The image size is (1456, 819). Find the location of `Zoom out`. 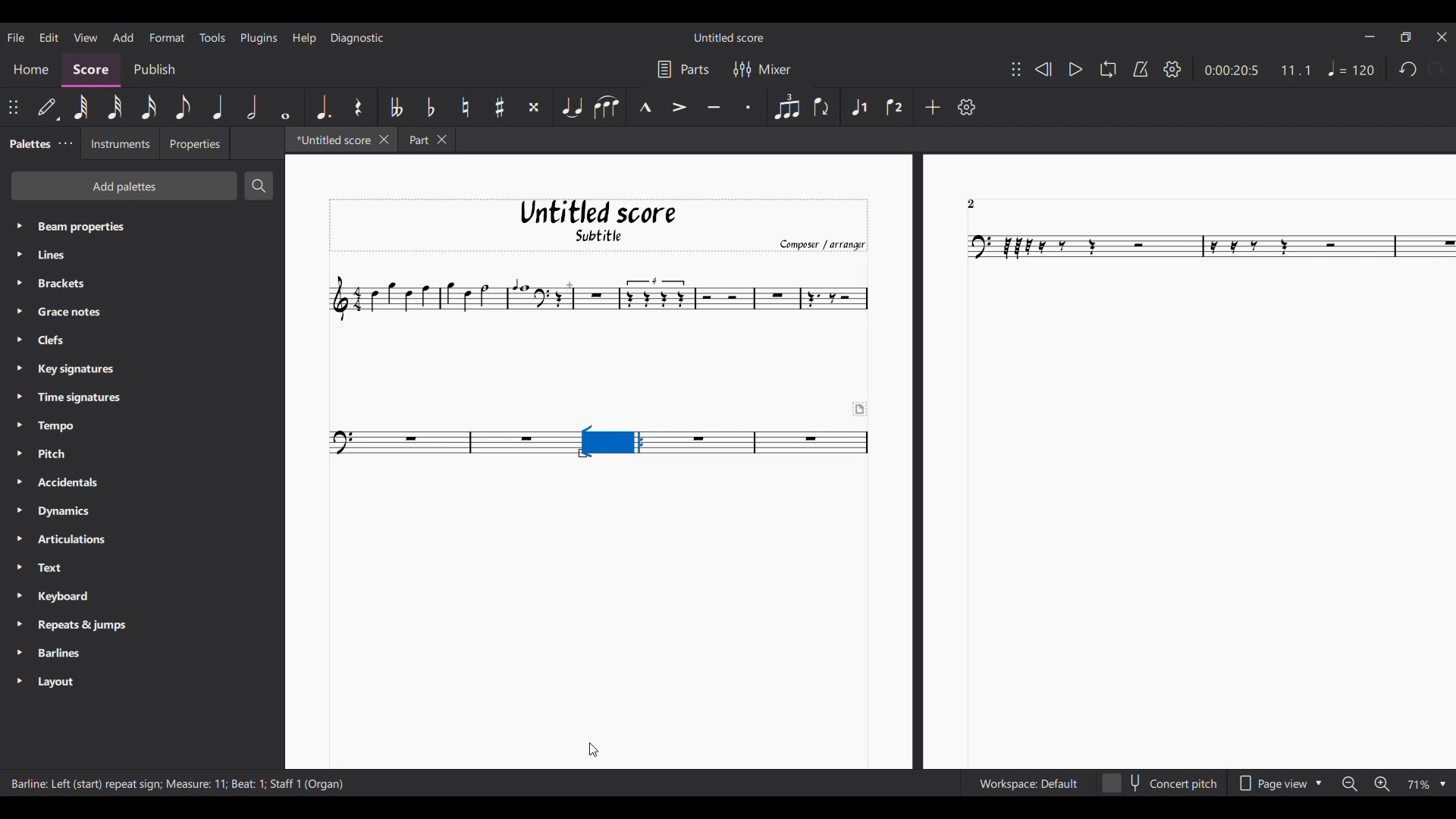

Zoom out is located at coordinates (1350, 784).